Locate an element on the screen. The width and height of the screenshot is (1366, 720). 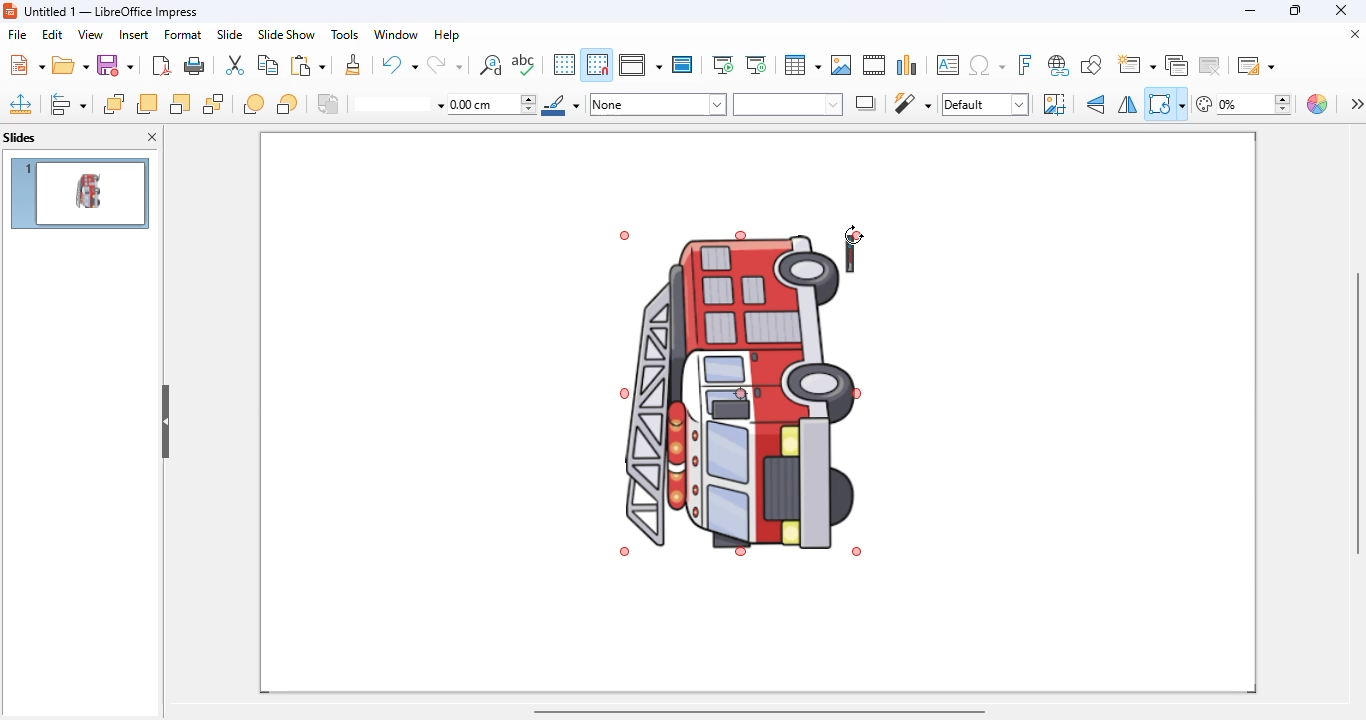
line style is located at coordinates (399, 105).